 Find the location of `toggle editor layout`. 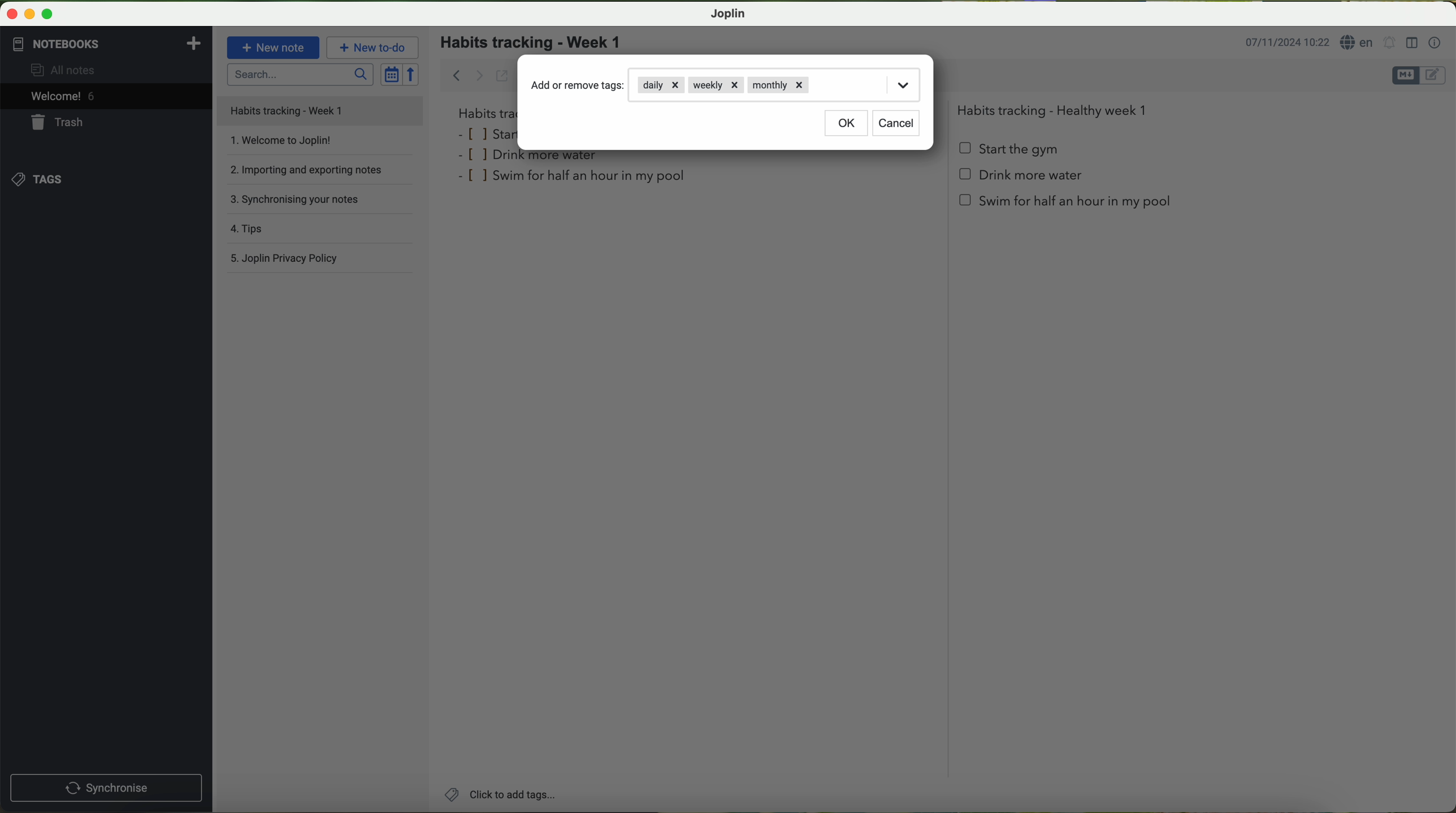

toggle editor layout is located at coordinates (1412, 43).